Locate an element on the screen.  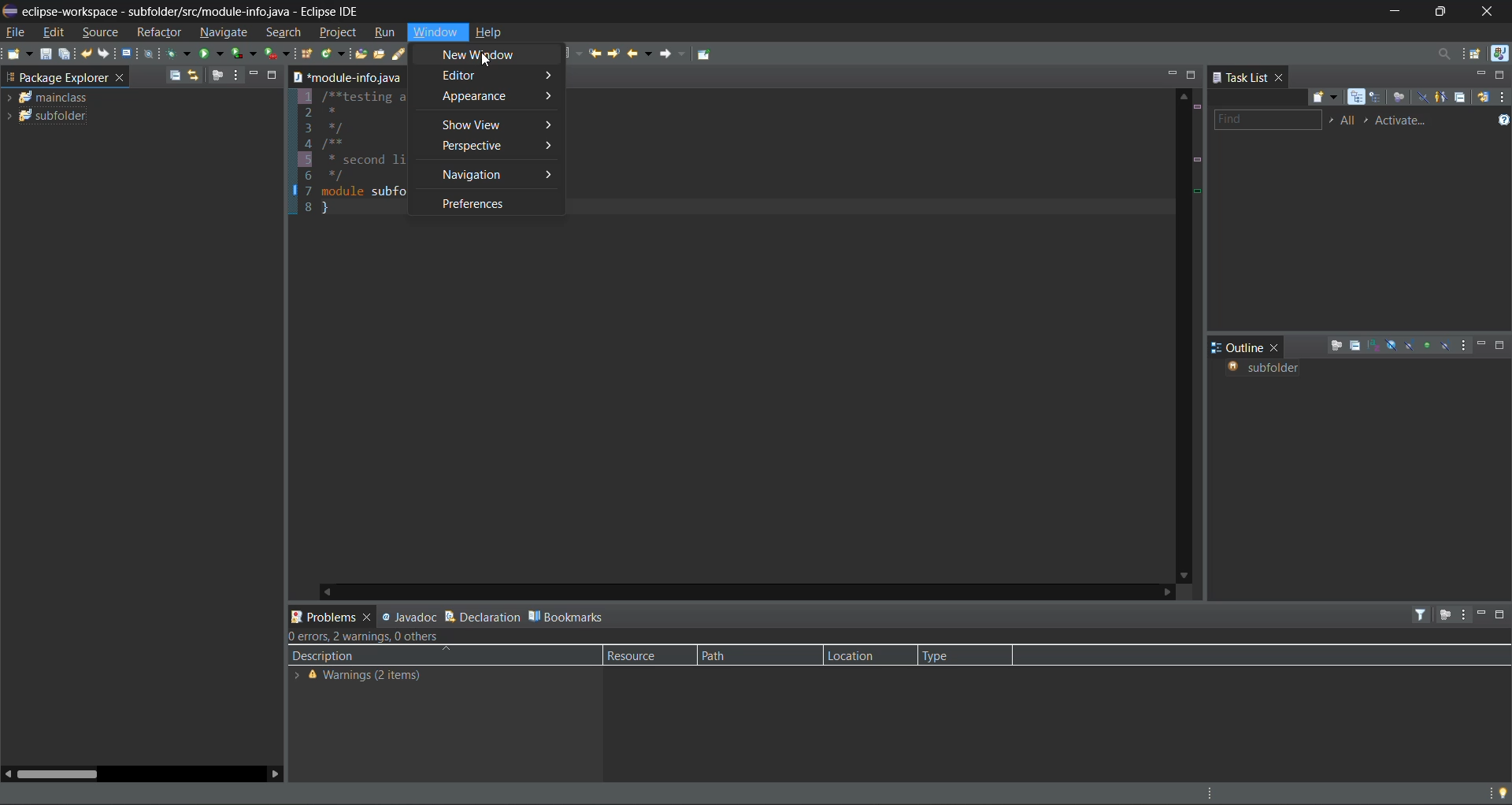
open perspective is located at coordinates (1477, 54).